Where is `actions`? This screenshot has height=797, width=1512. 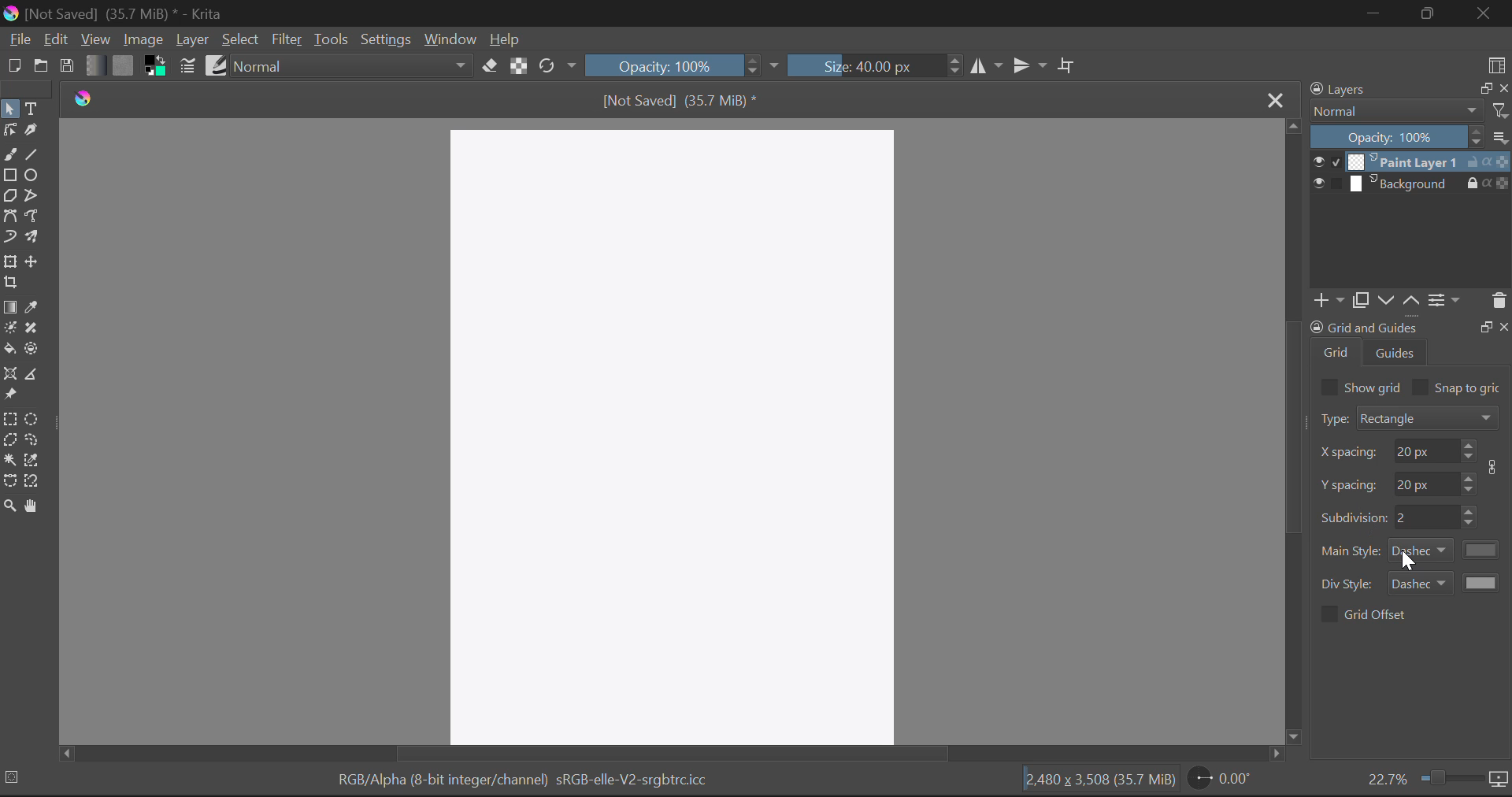 actions is located at coordinates (1488, 161).